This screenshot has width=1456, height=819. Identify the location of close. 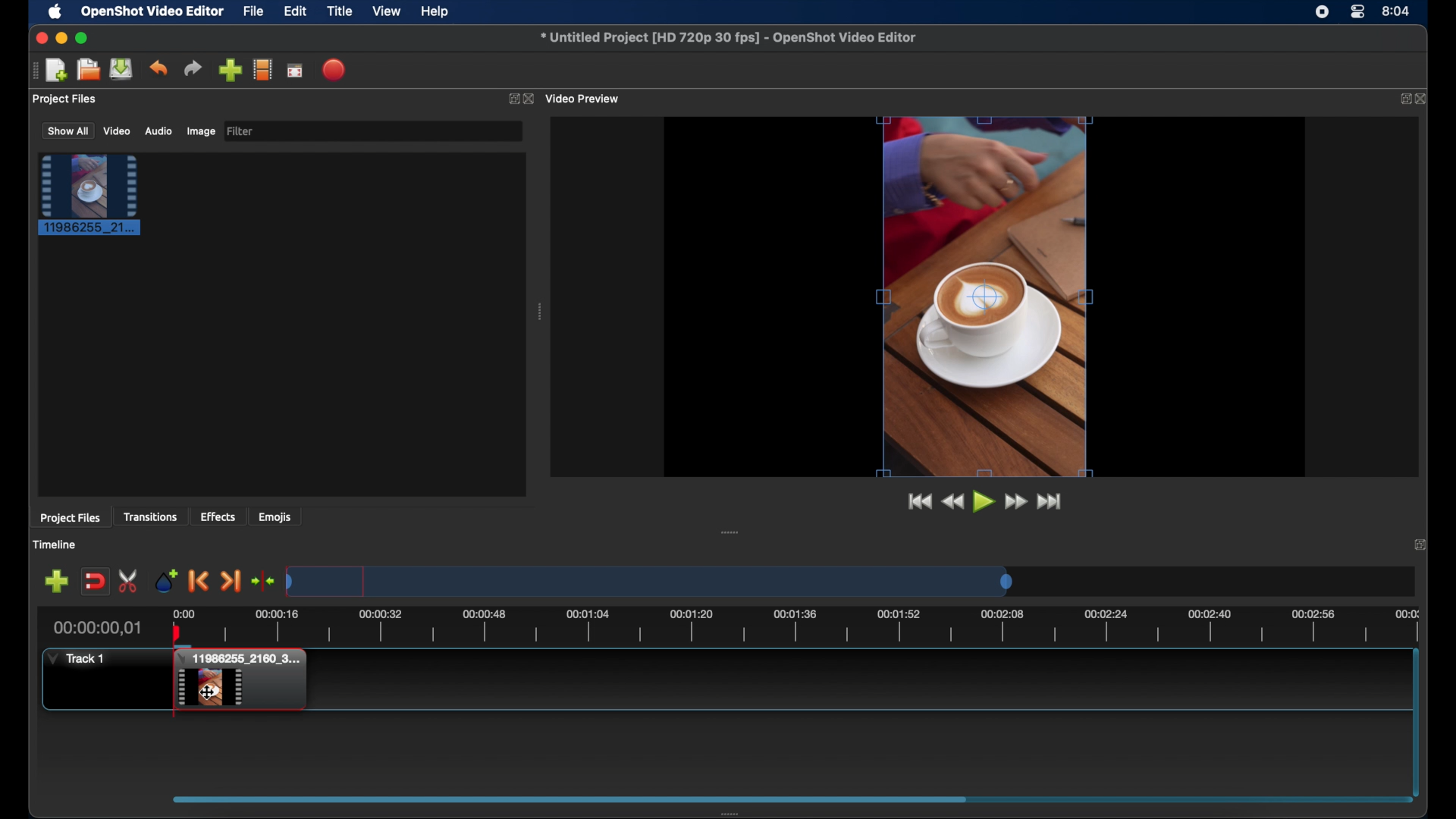
(1418, 544).